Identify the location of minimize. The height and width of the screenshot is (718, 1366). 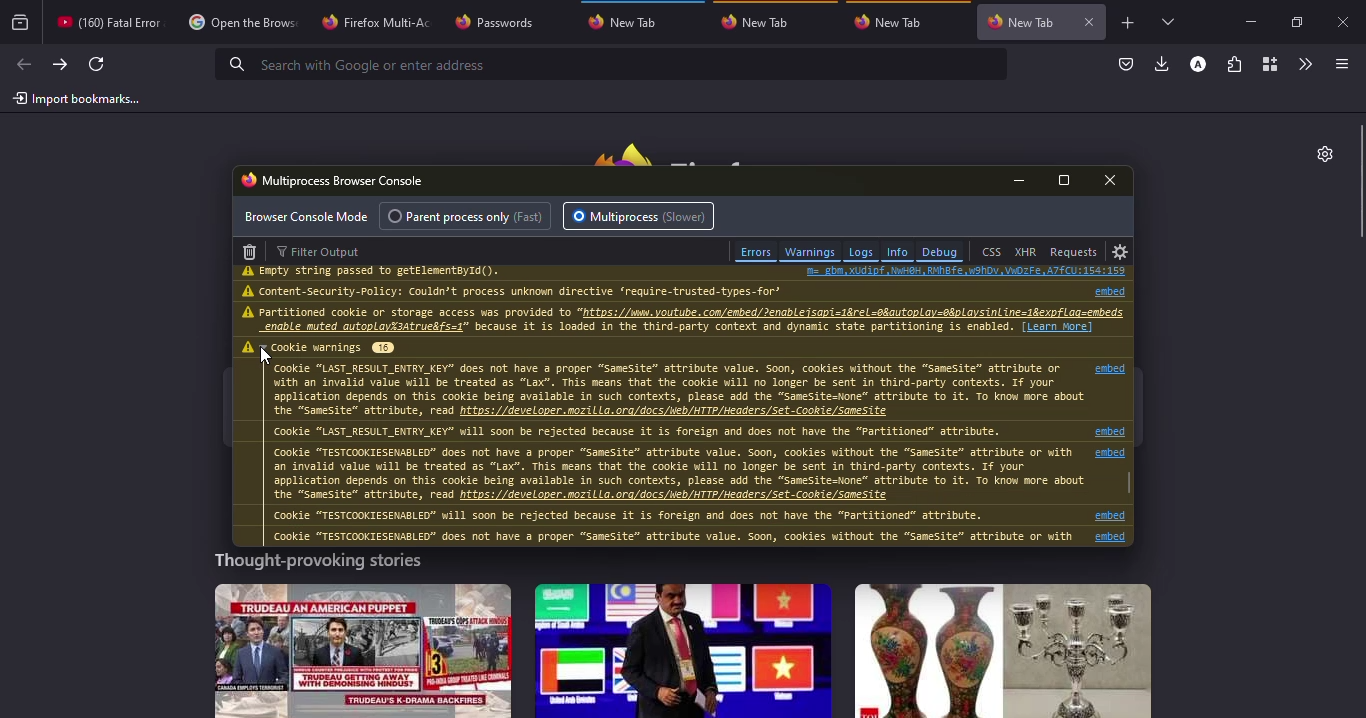
(1247, 19).